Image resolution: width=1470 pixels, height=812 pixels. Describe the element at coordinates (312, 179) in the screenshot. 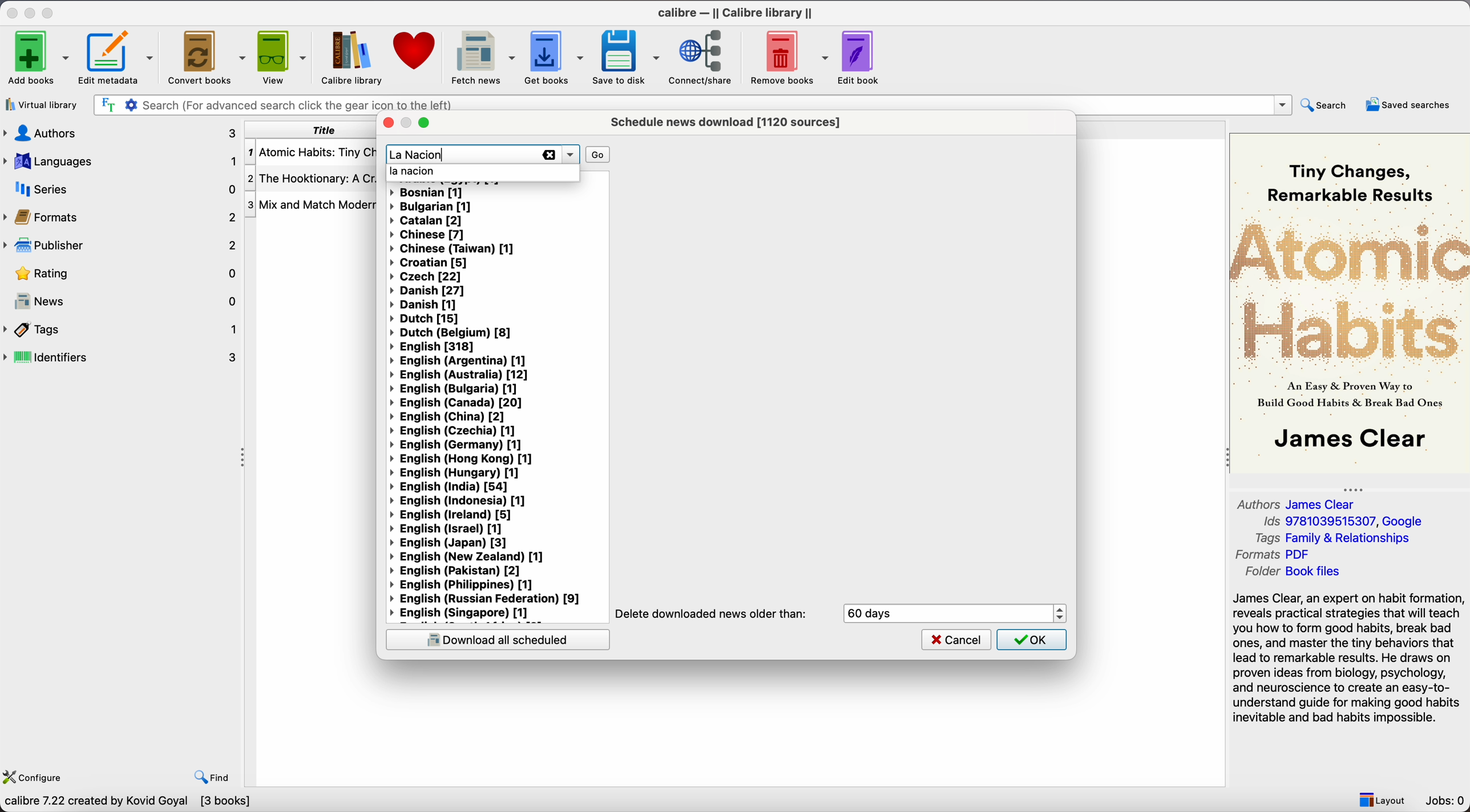

I see `The Hooktionary: A Cr...` at that location.